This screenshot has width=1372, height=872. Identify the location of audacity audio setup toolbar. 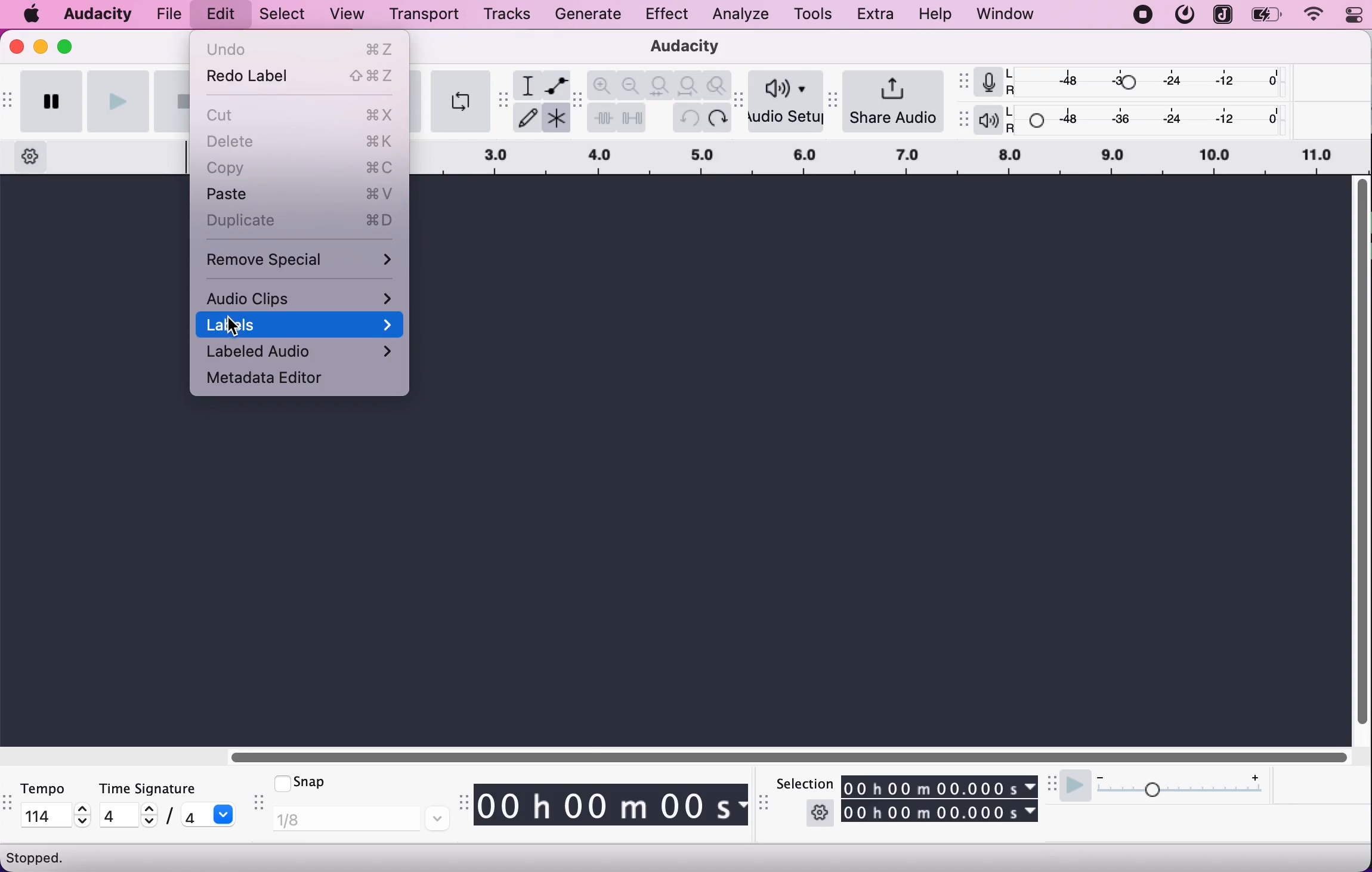
(741, 107).